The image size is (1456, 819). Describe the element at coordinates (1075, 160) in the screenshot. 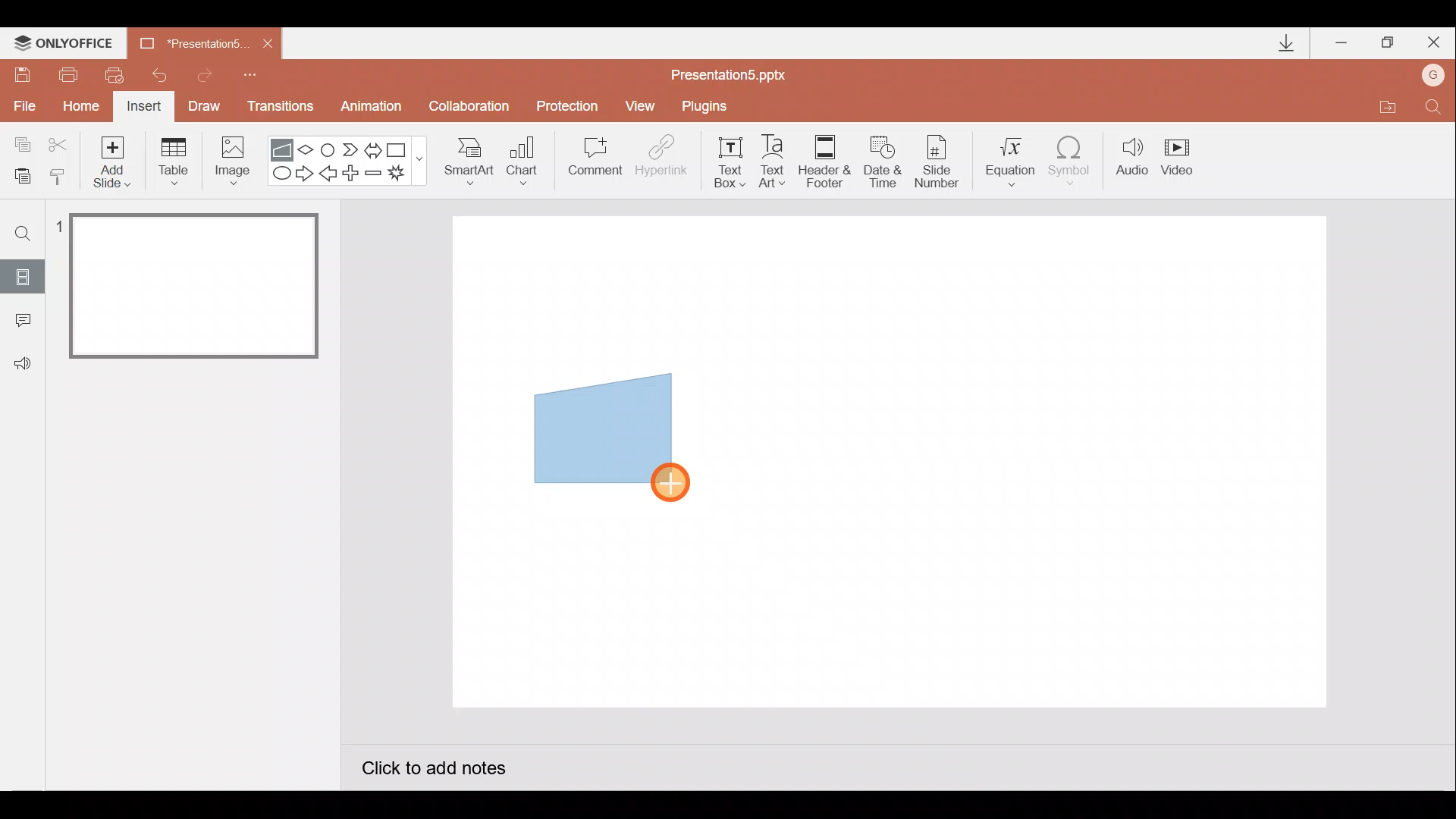

I see `Symbol` at that location.